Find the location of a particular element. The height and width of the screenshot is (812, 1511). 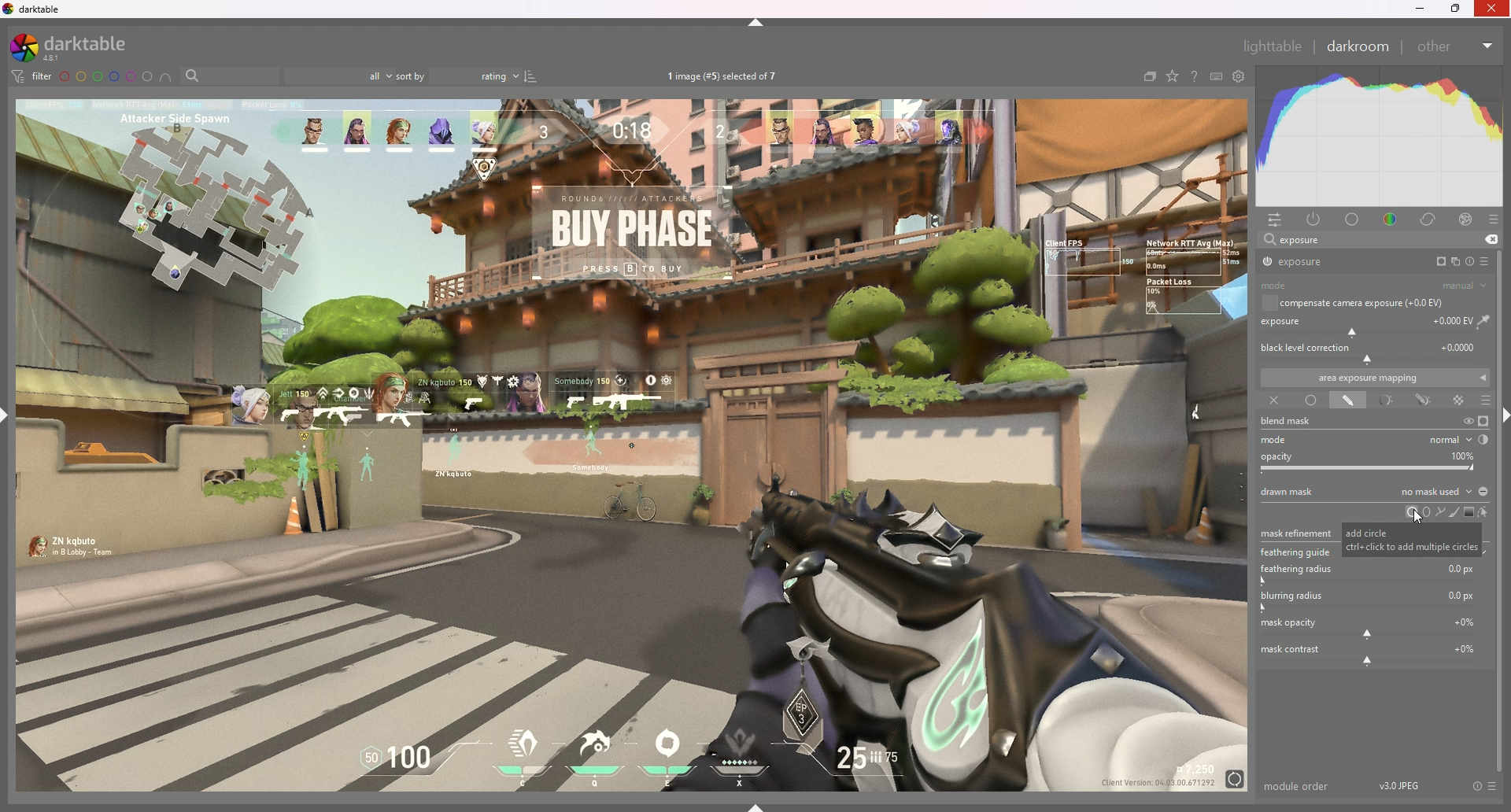

keyboars shortcut is located at coordinates (1215, 76).